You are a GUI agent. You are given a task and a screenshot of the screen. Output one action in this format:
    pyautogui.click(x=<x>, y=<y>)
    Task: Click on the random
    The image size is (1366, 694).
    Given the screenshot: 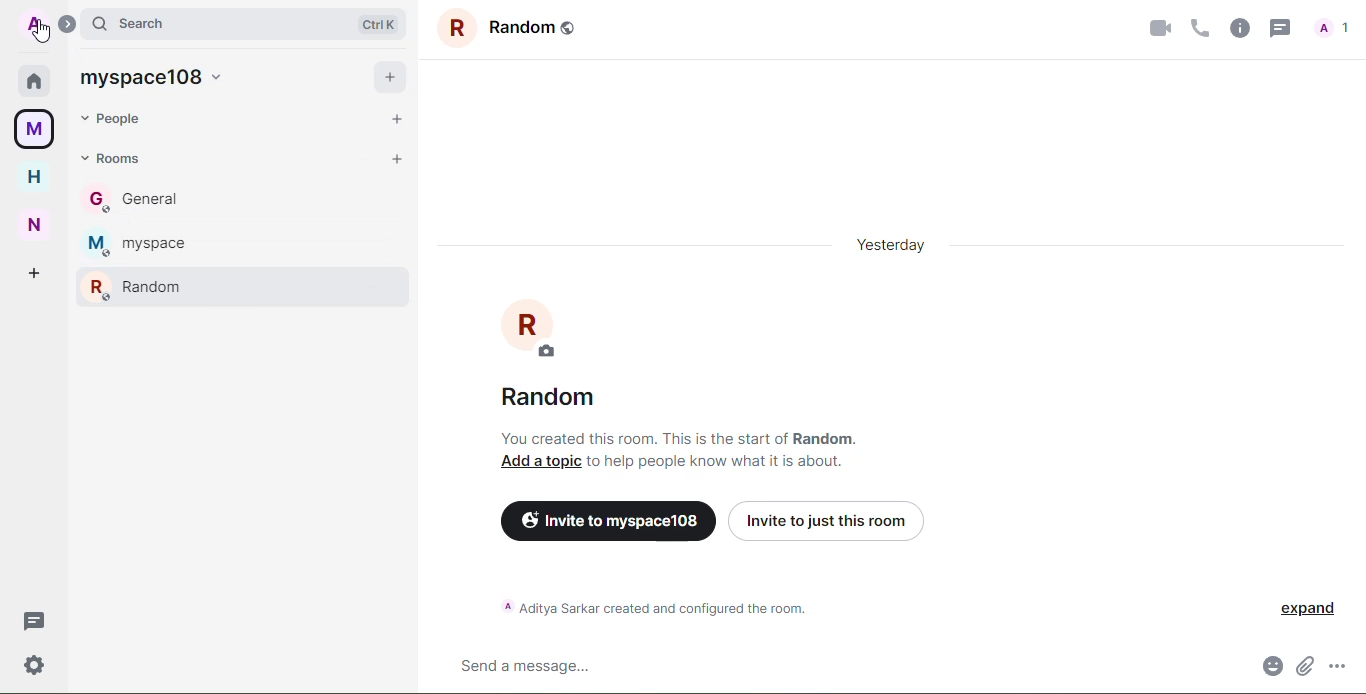 What is the action you would take?
    pyautogui.click(x=139, y=286)
    